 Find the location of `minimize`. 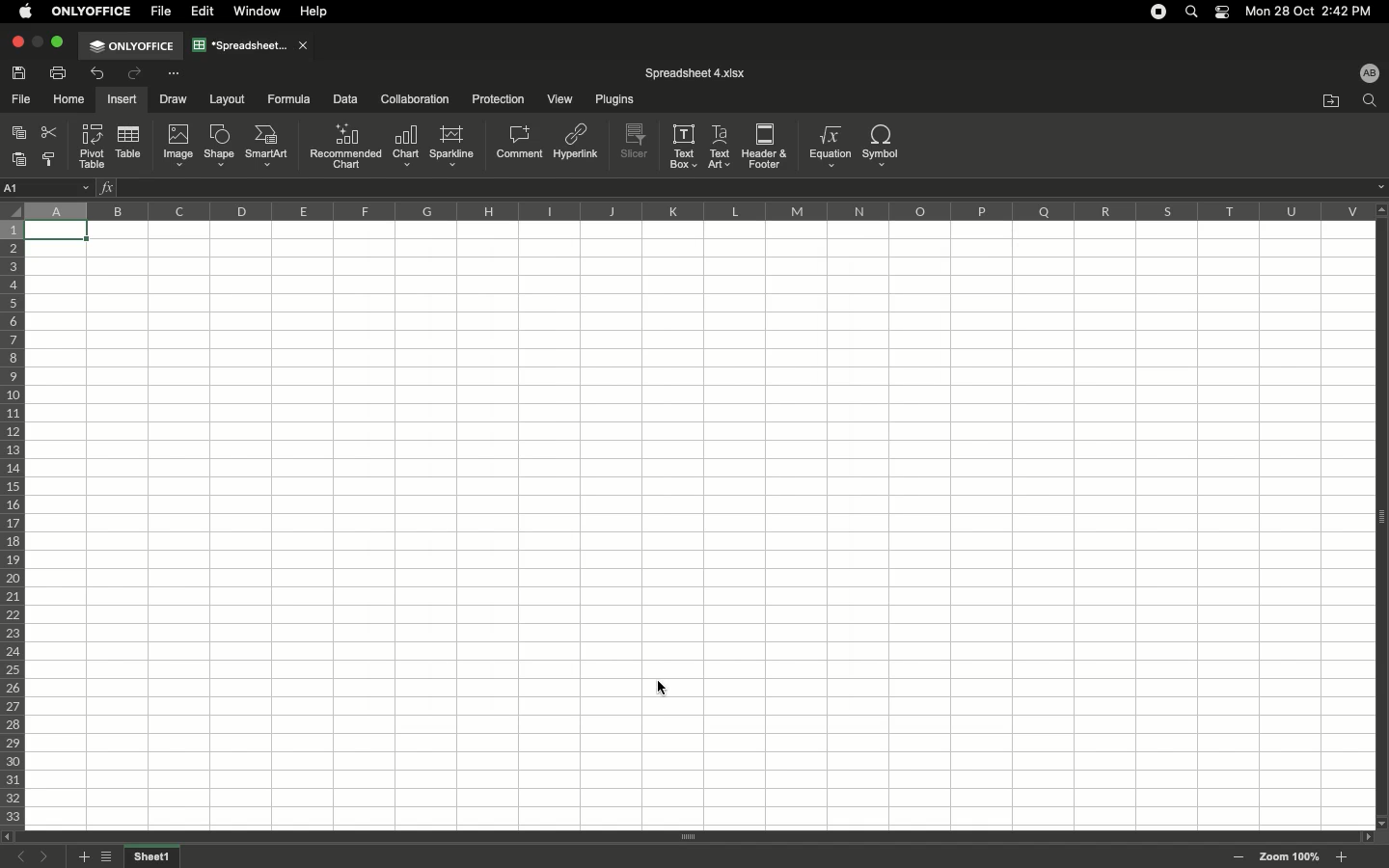

minimize is located at coordinates (38, 41).